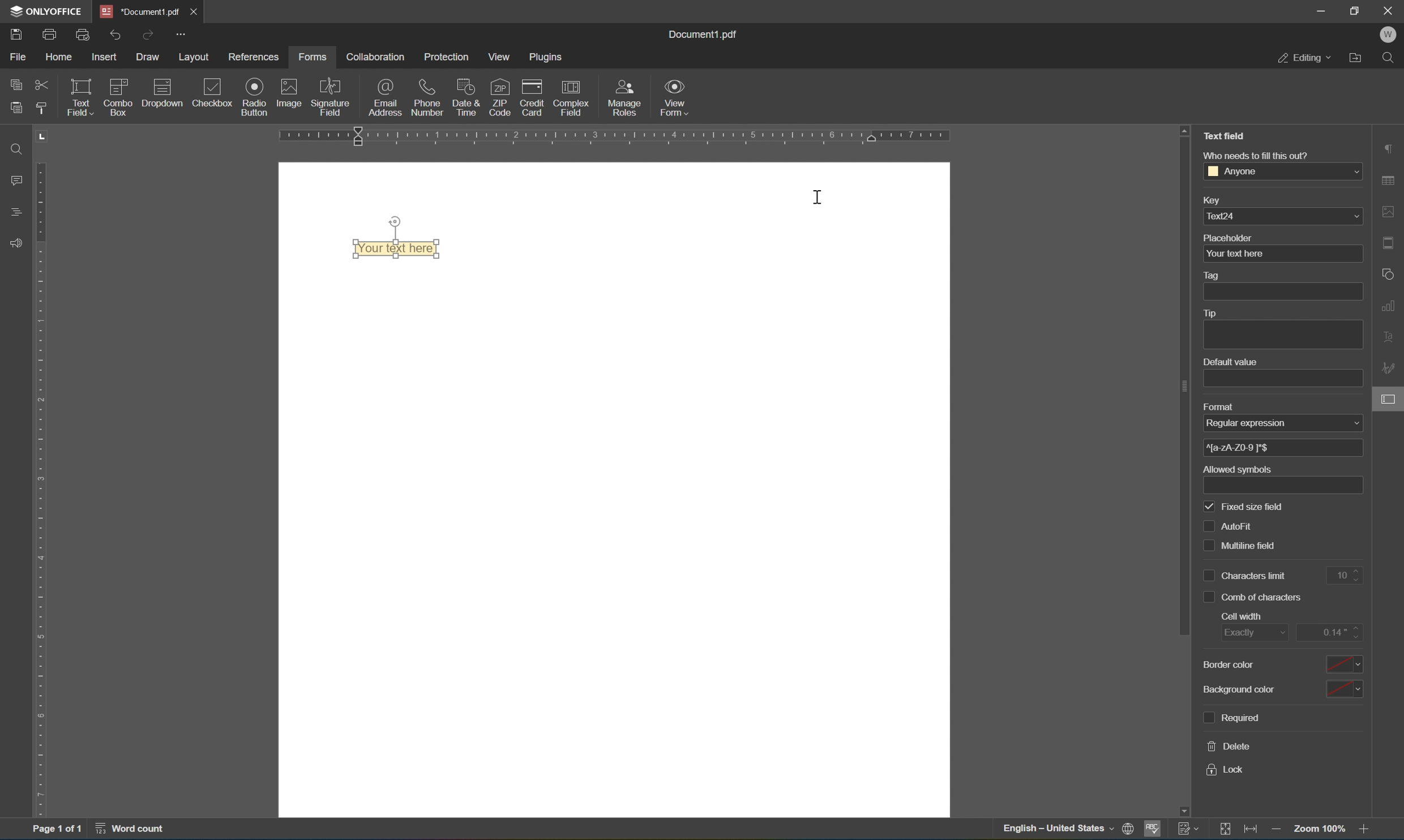 This screenshot has width=1404, height=840. I want to click on spell checking, so click(1153, 832).